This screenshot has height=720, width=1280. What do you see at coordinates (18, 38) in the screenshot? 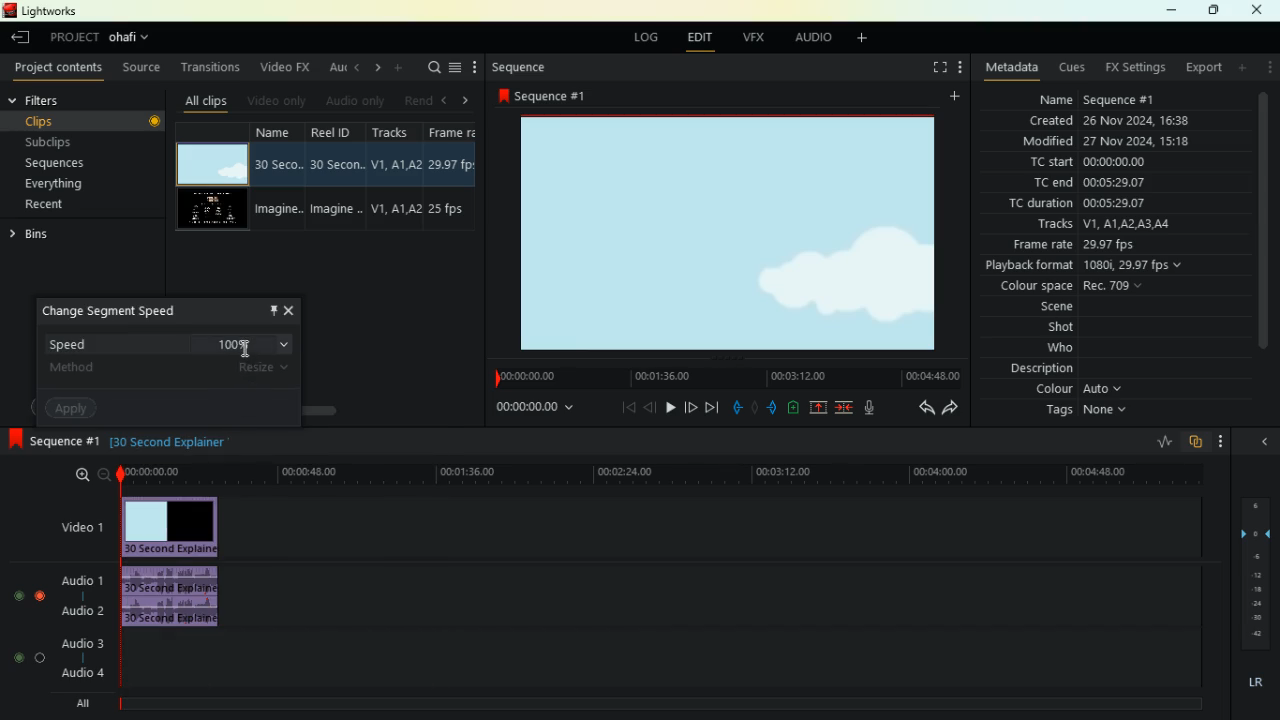
I see `back` at bounding box center [18, 38].